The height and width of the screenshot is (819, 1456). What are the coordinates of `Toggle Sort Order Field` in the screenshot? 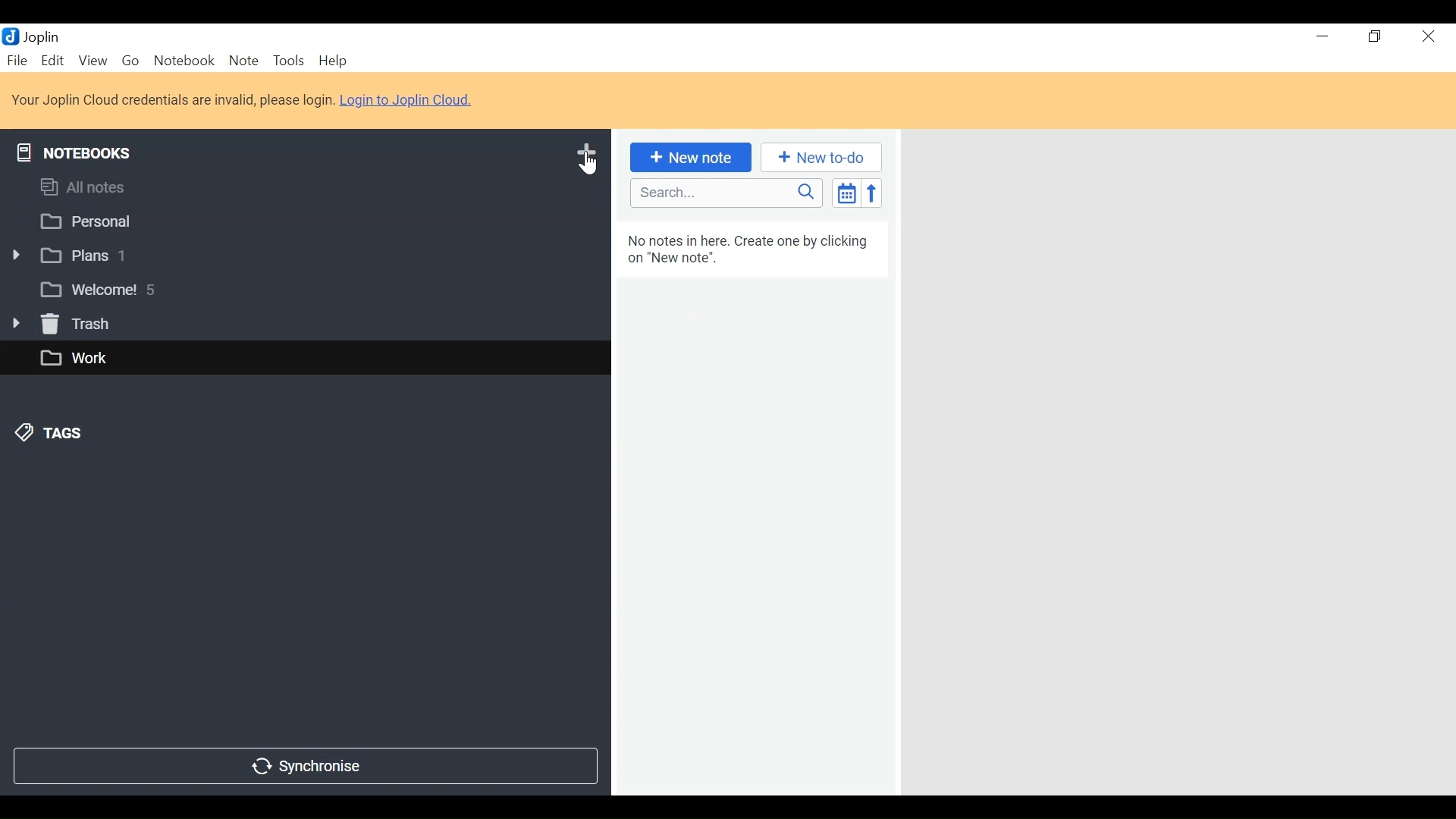 It's located at (846, 193).